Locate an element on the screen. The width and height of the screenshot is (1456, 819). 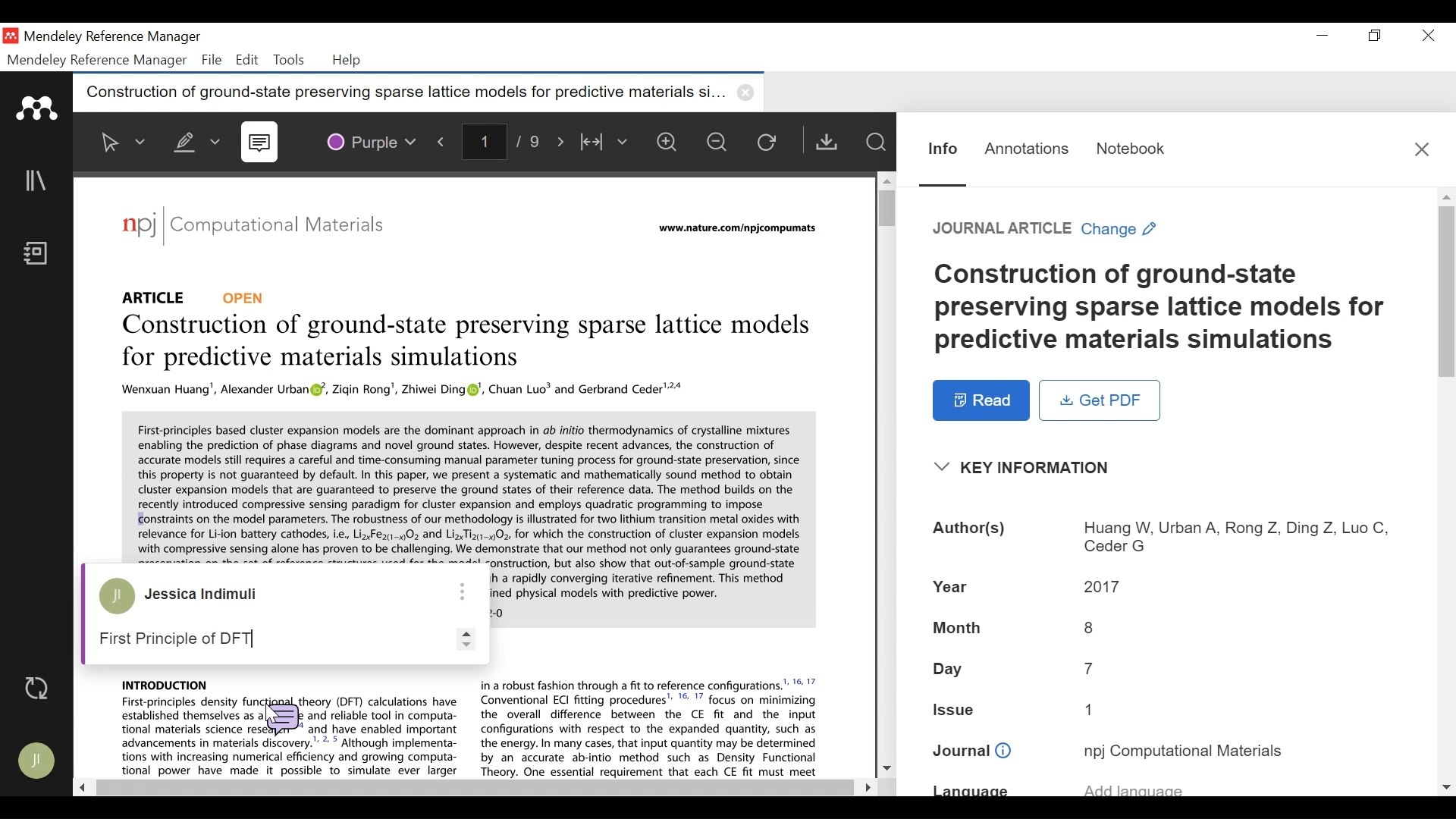
Previous Page is located at coordinates (444, 141).